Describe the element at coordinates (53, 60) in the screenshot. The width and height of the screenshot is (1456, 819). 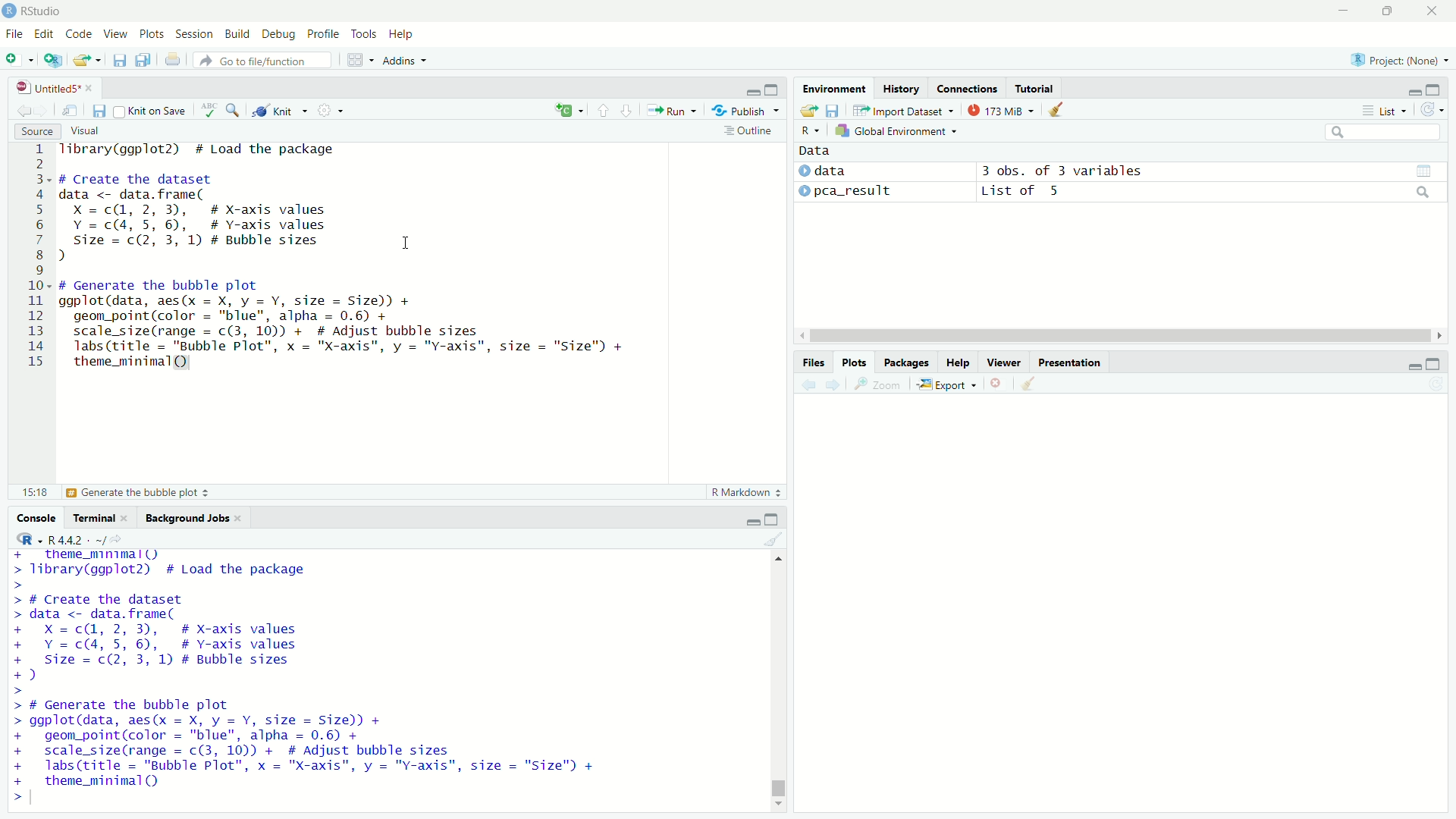
I see `new project` at that location.